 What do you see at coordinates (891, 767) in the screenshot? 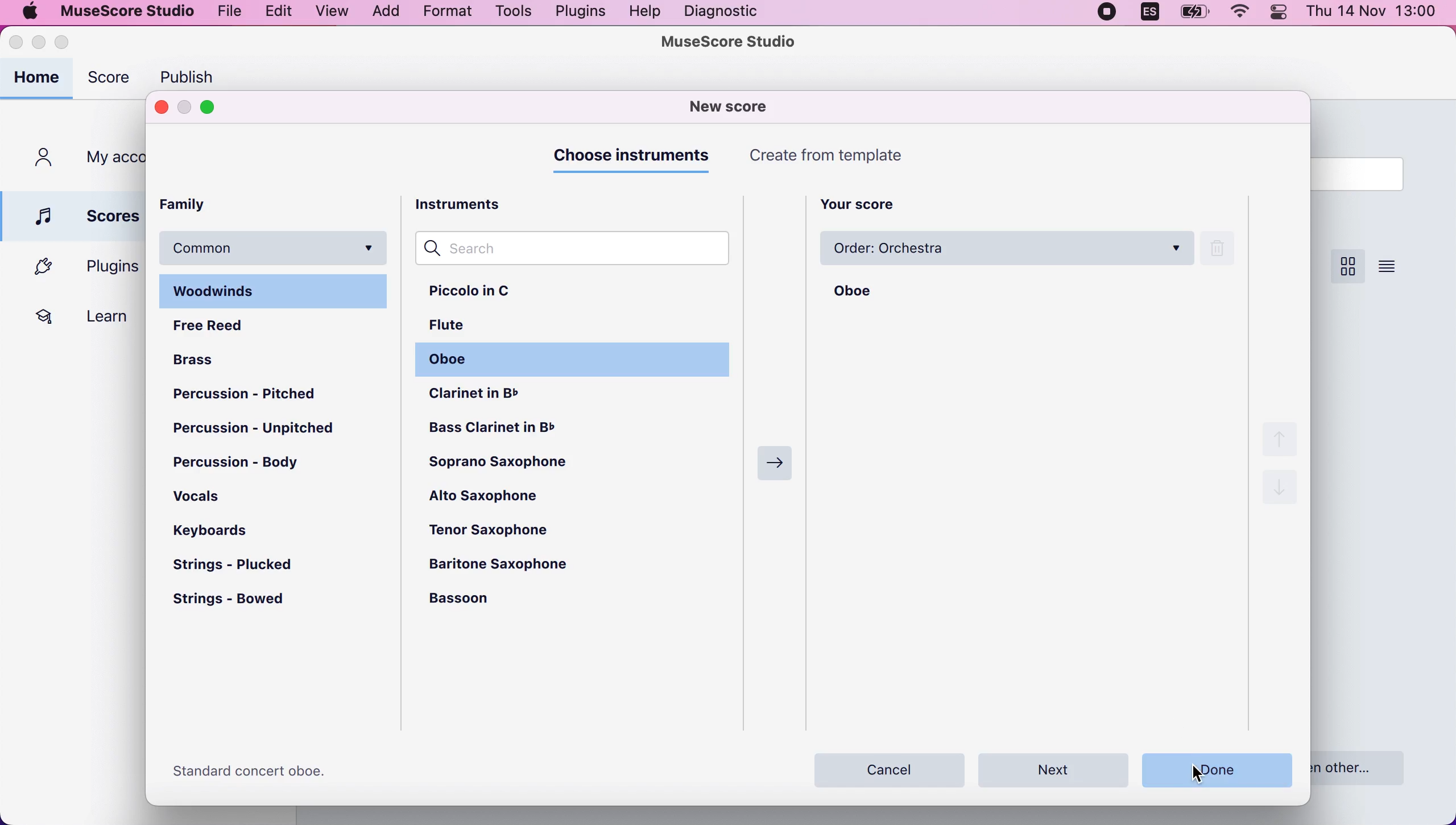
I see `cancel` at bounding box center [891, 767].